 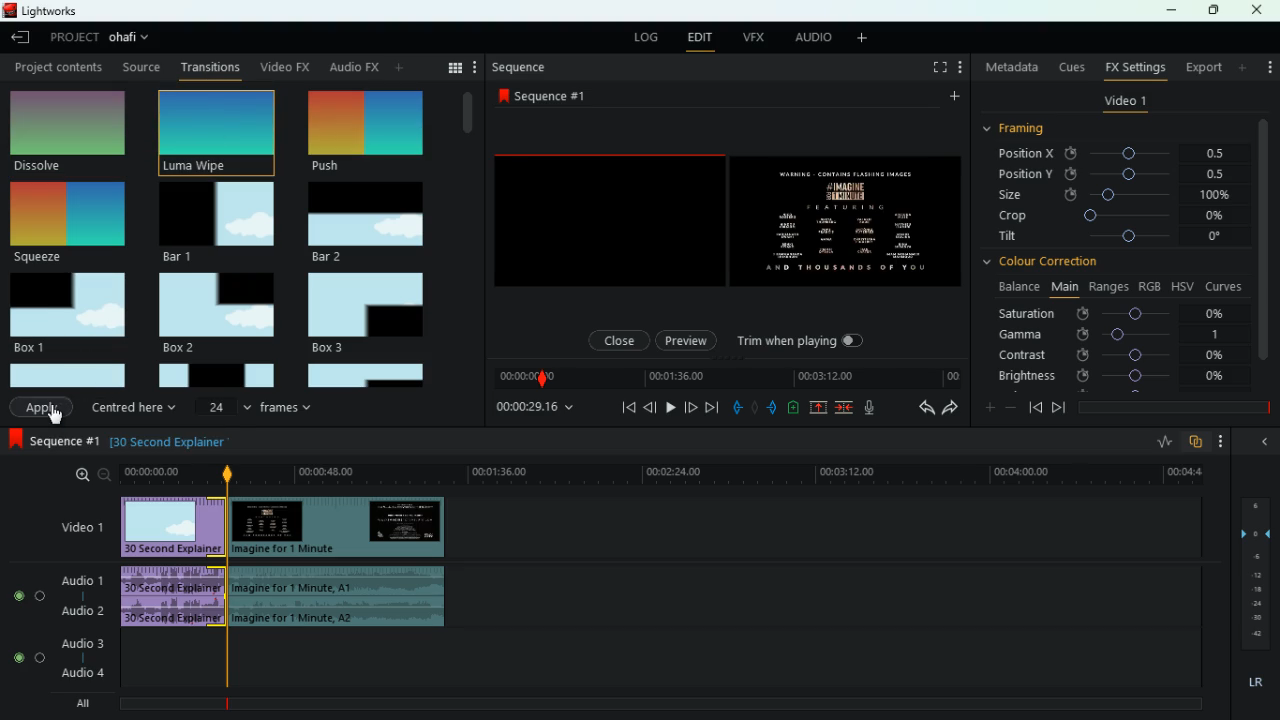 What do you see at coordinates (1163, 444) in the screenshot?
I see `rate` at bounding box center [1163, 444].